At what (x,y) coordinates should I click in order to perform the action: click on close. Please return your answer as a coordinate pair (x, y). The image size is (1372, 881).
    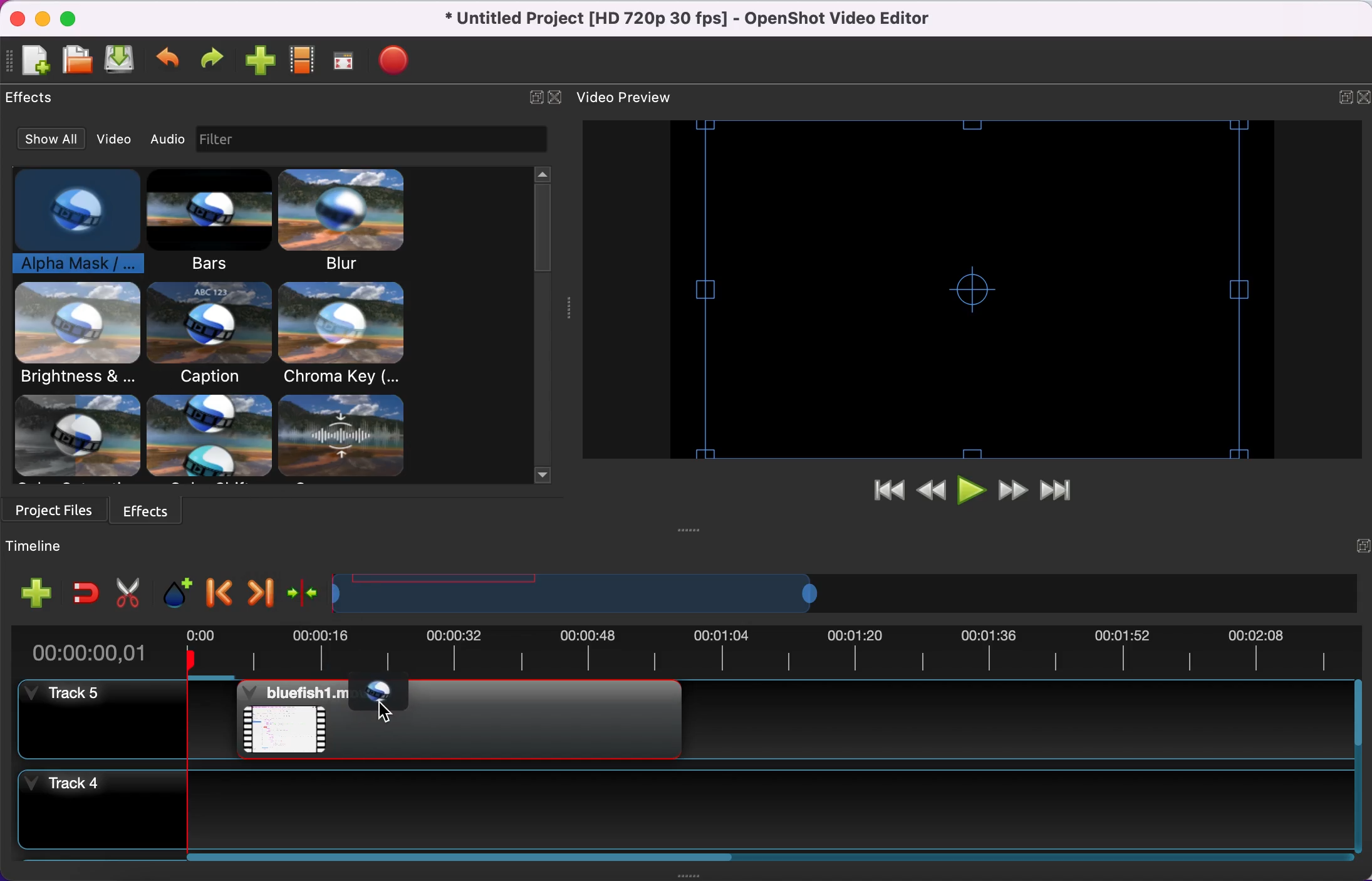
    Looking at the image, I should click on (1363, 102).